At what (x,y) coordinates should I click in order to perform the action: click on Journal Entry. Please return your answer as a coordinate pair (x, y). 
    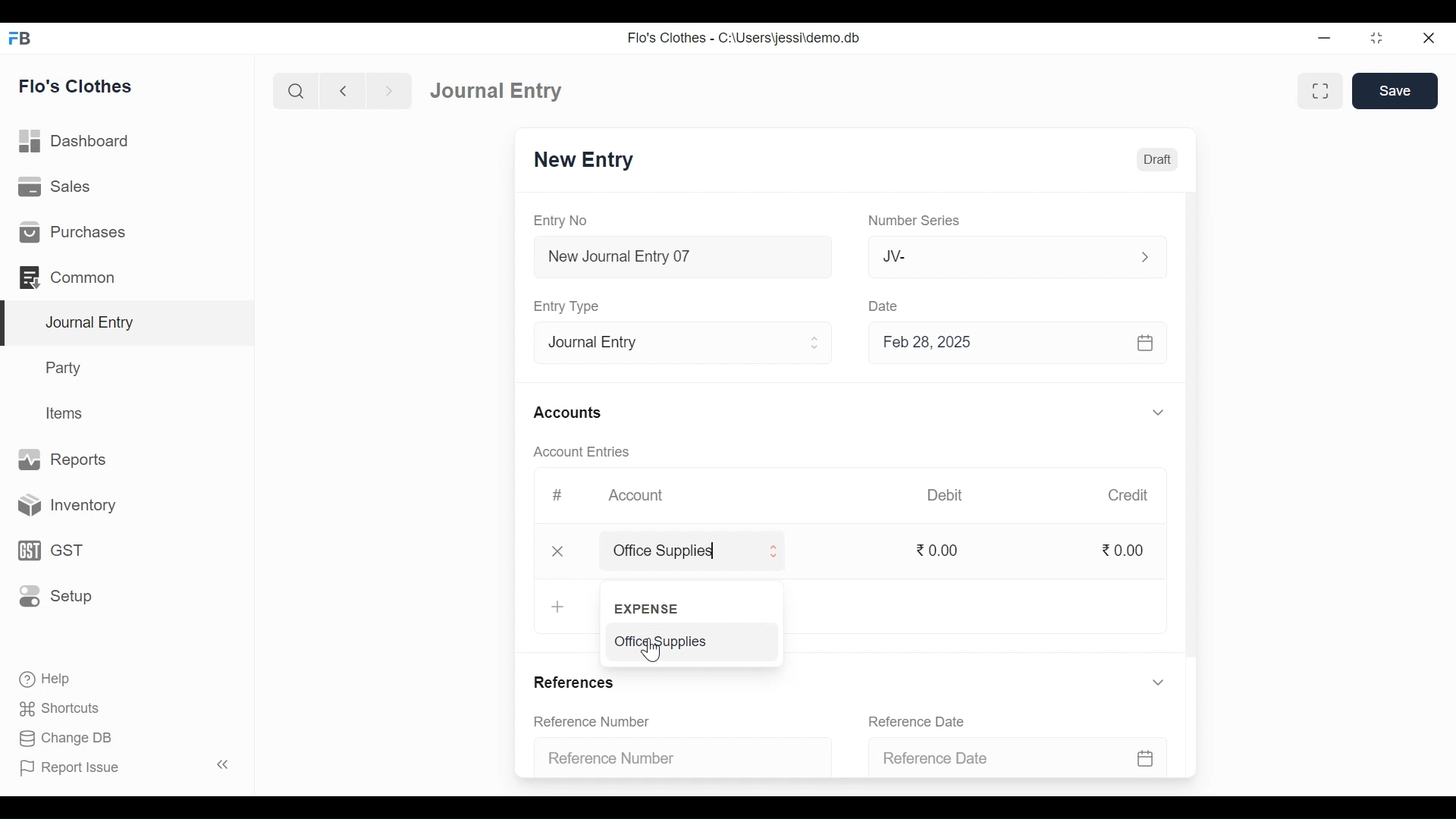
    Looking at the image, I should click on (502, 90).